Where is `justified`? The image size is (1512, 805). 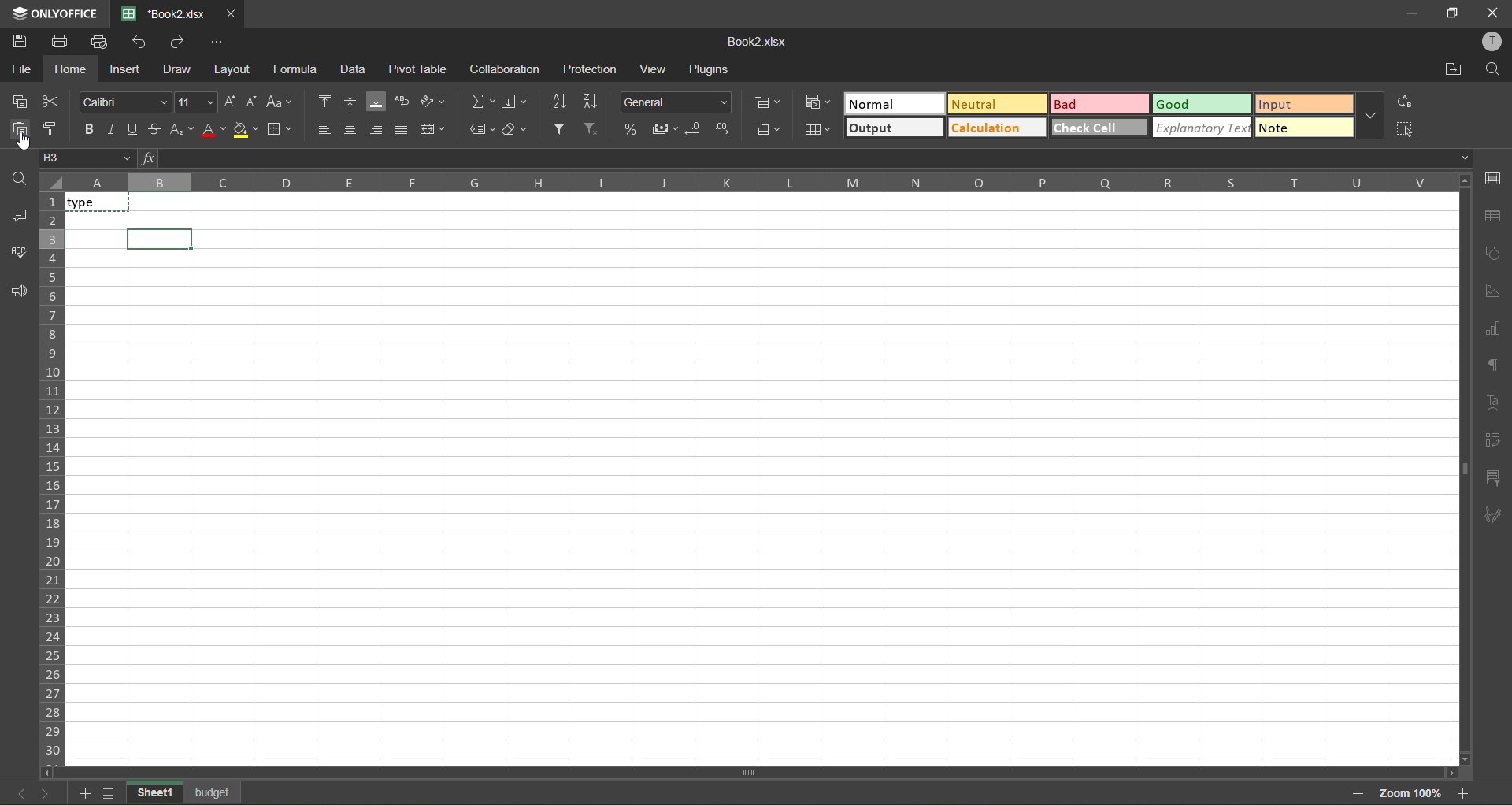
justified is located at coordinates (405, 129).